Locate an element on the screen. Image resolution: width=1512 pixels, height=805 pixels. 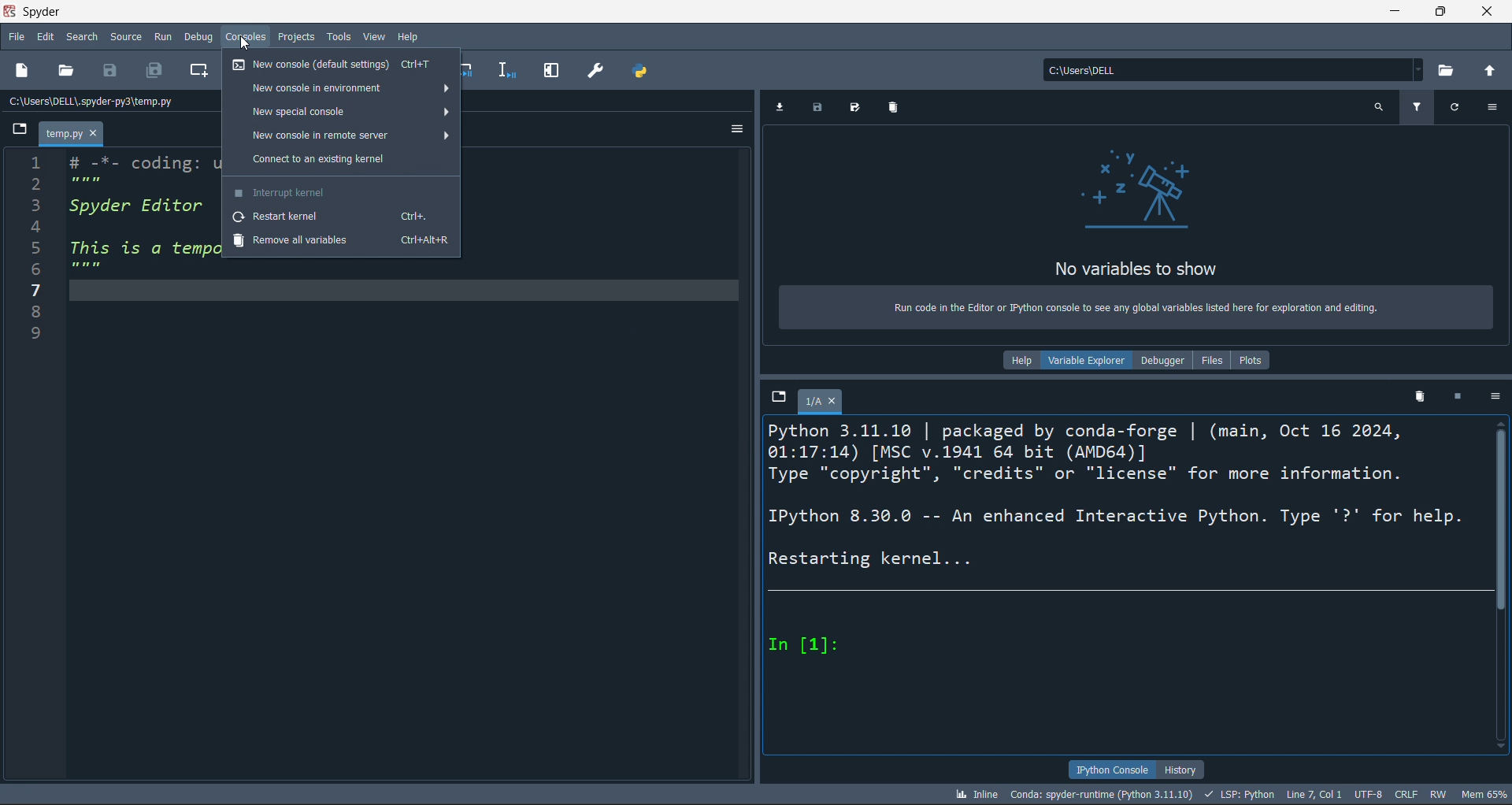
new file is located at coordinates (24, 71).